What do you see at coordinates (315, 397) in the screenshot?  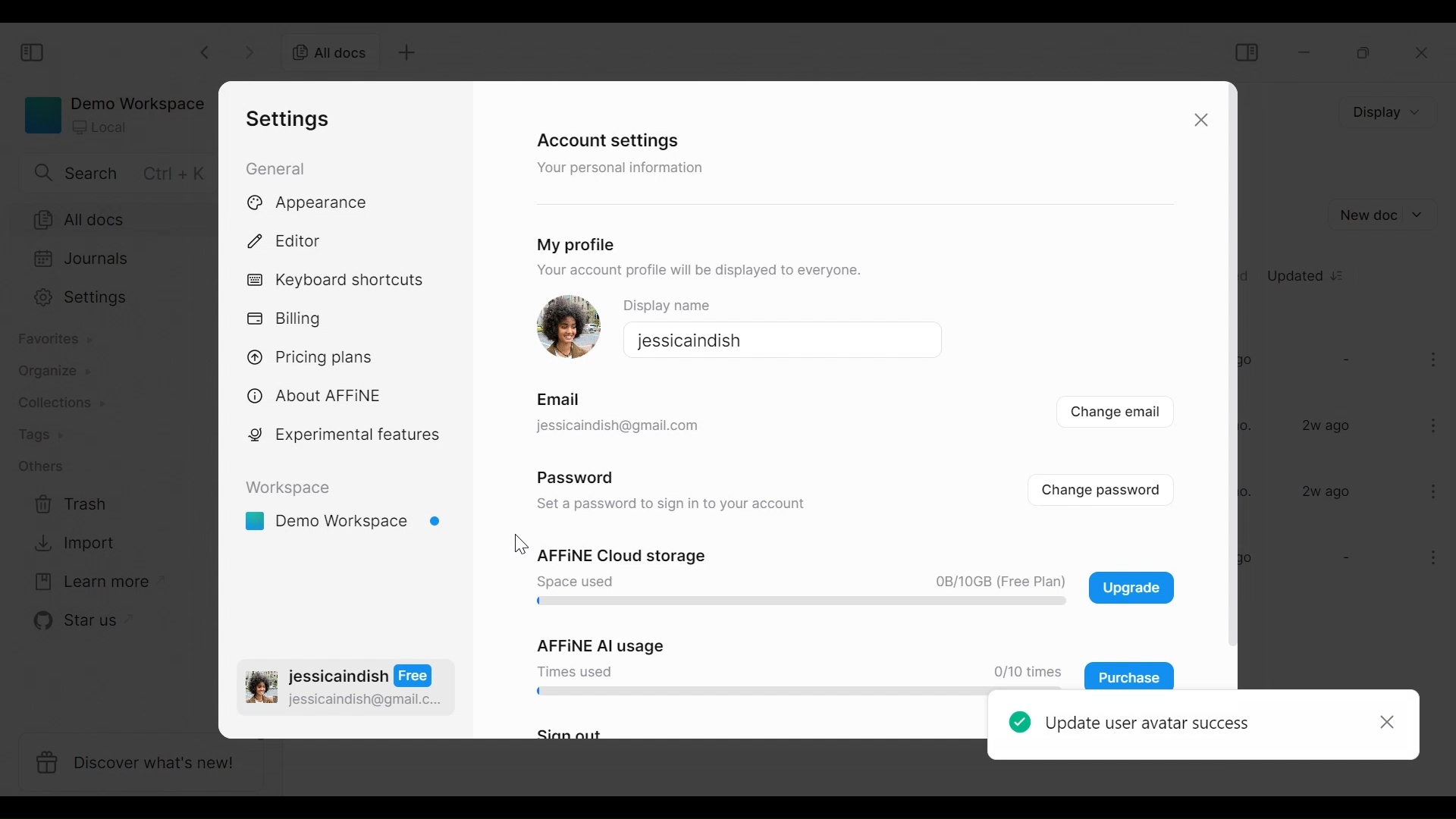 I see `About AFFiNE` at bounding box center [315, 397].